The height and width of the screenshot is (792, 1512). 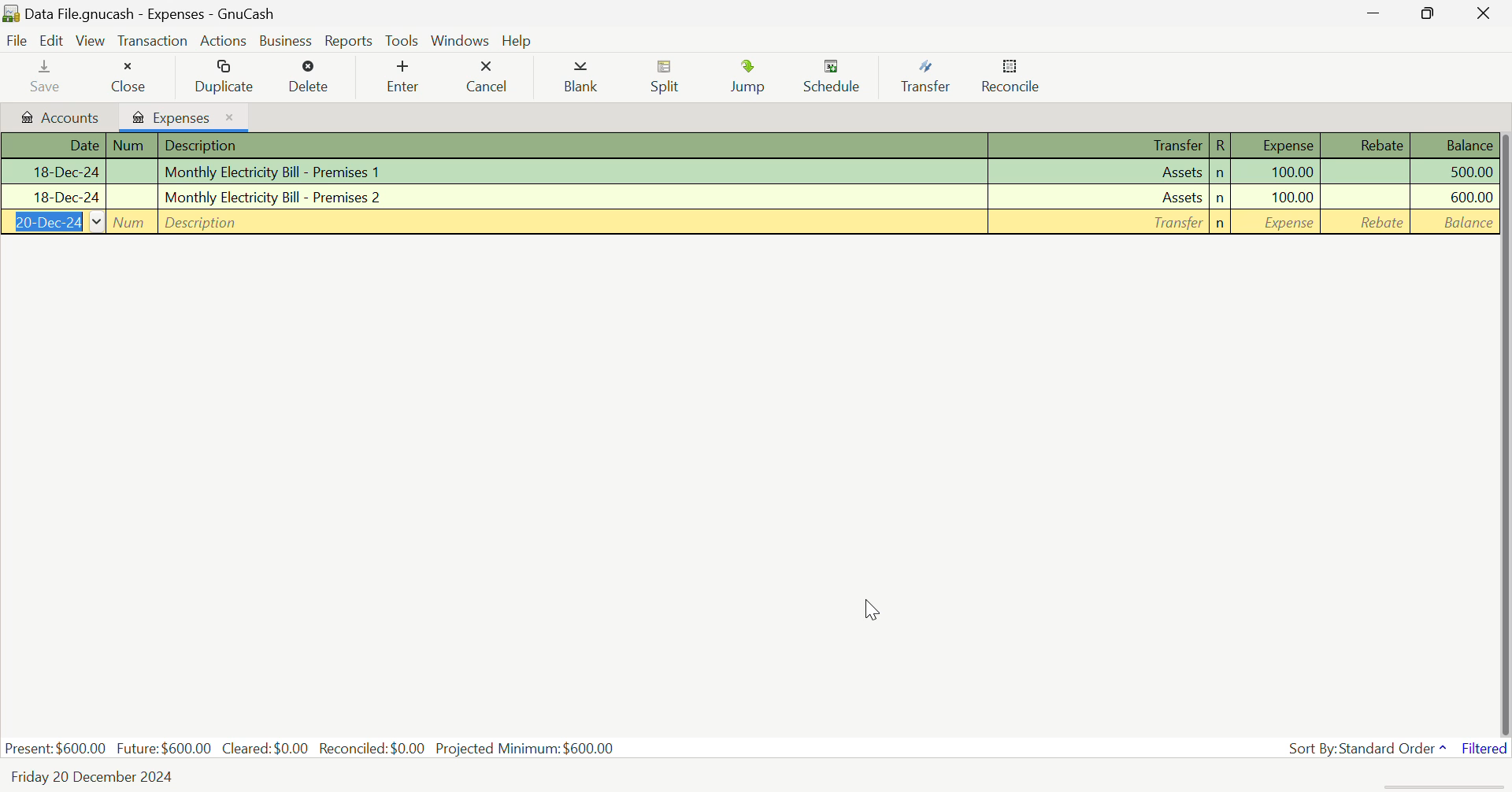 What do you see at coordinates (1366, 146) in the screenshot?
I see `Rebate` at bounding box center [1366, 146].